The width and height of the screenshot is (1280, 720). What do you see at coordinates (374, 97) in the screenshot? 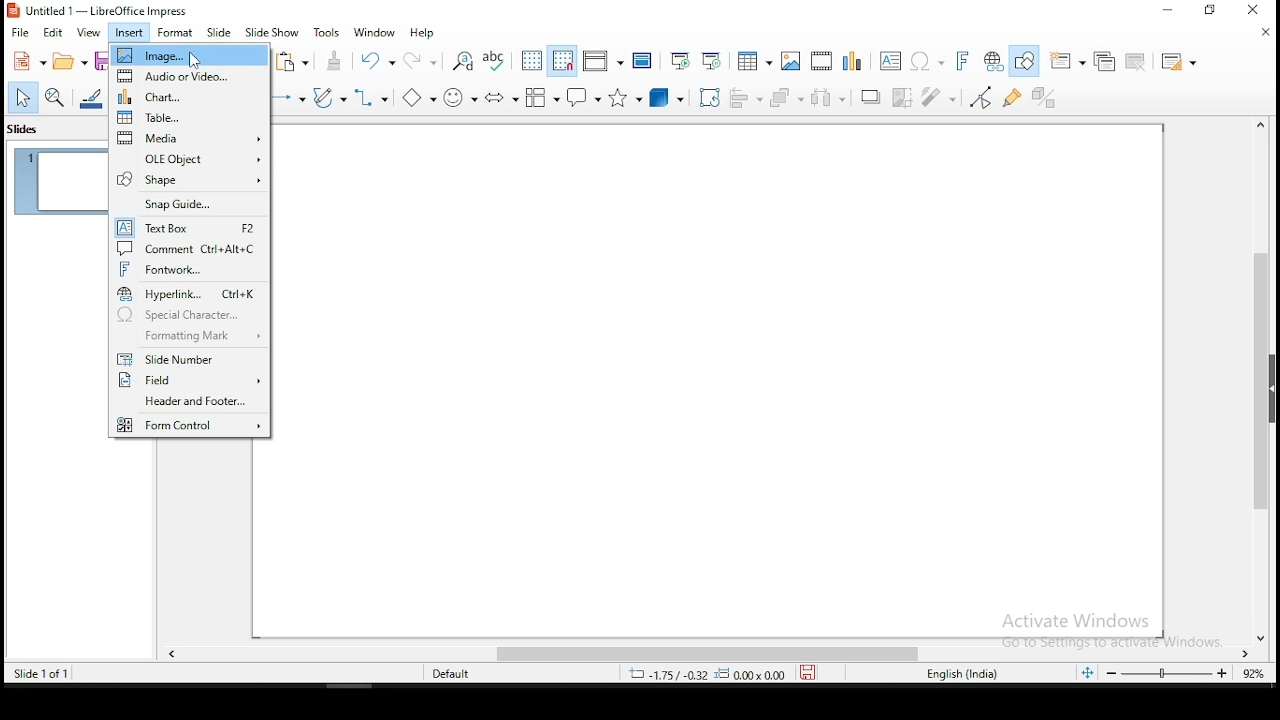
I see `connectors` at bounding box center [374, 97].